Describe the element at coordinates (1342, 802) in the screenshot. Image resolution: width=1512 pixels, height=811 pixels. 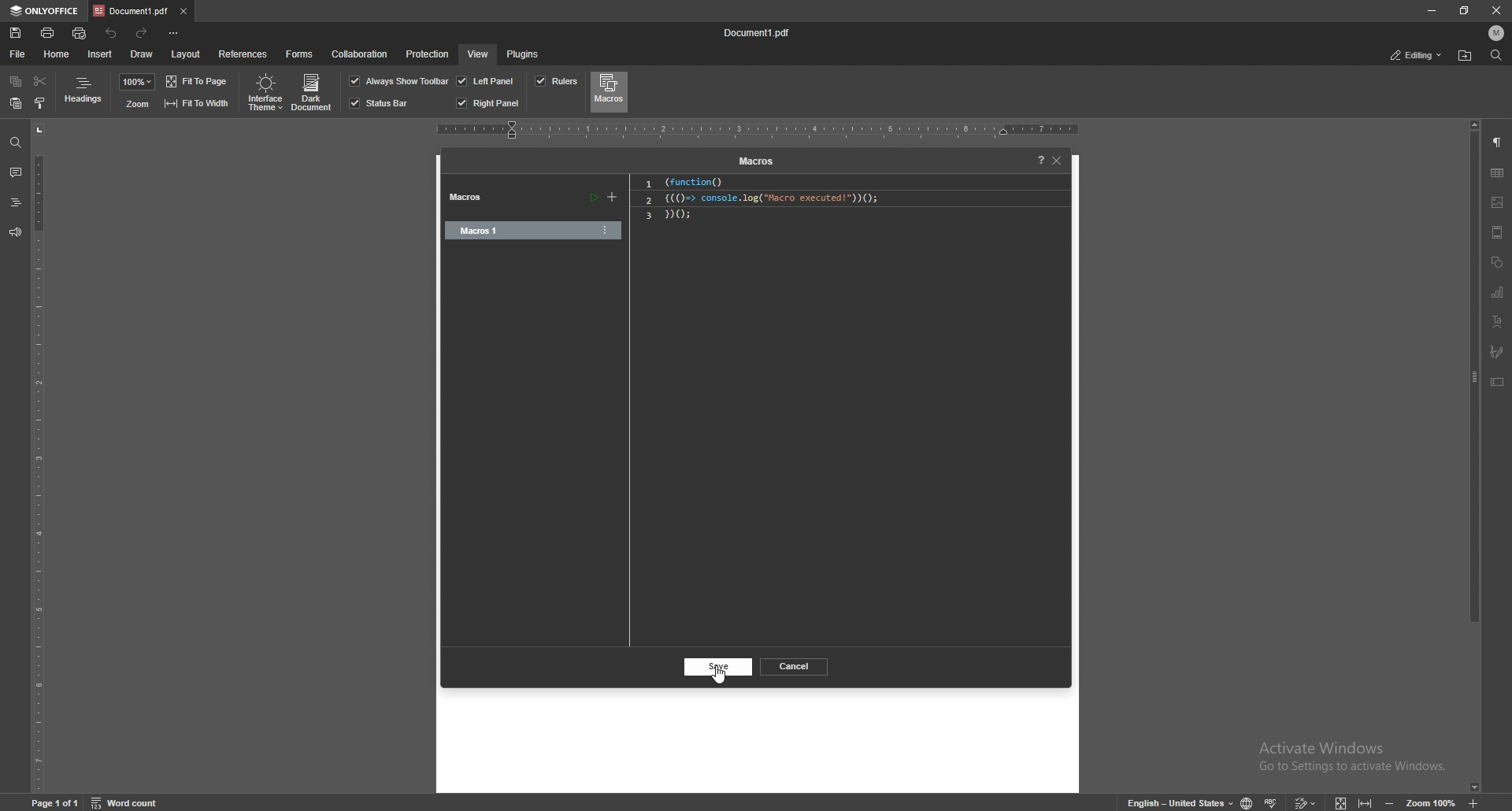
I see `fit to screen` at that location.